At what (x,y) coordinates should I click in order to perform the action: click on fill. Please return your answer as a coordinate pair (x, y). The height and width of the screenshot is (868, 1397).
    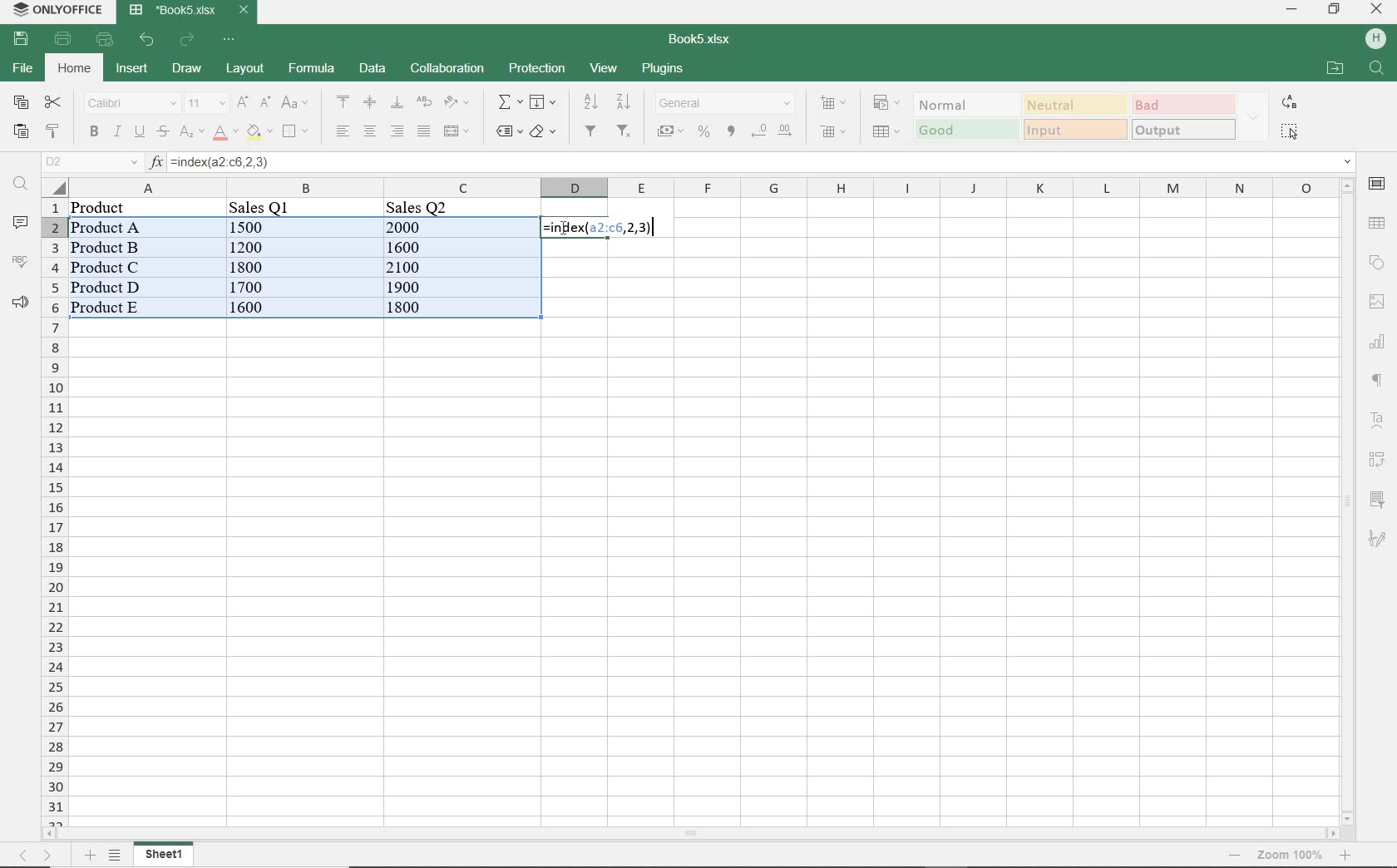
    Looking at the image, I should click on (541, 102).